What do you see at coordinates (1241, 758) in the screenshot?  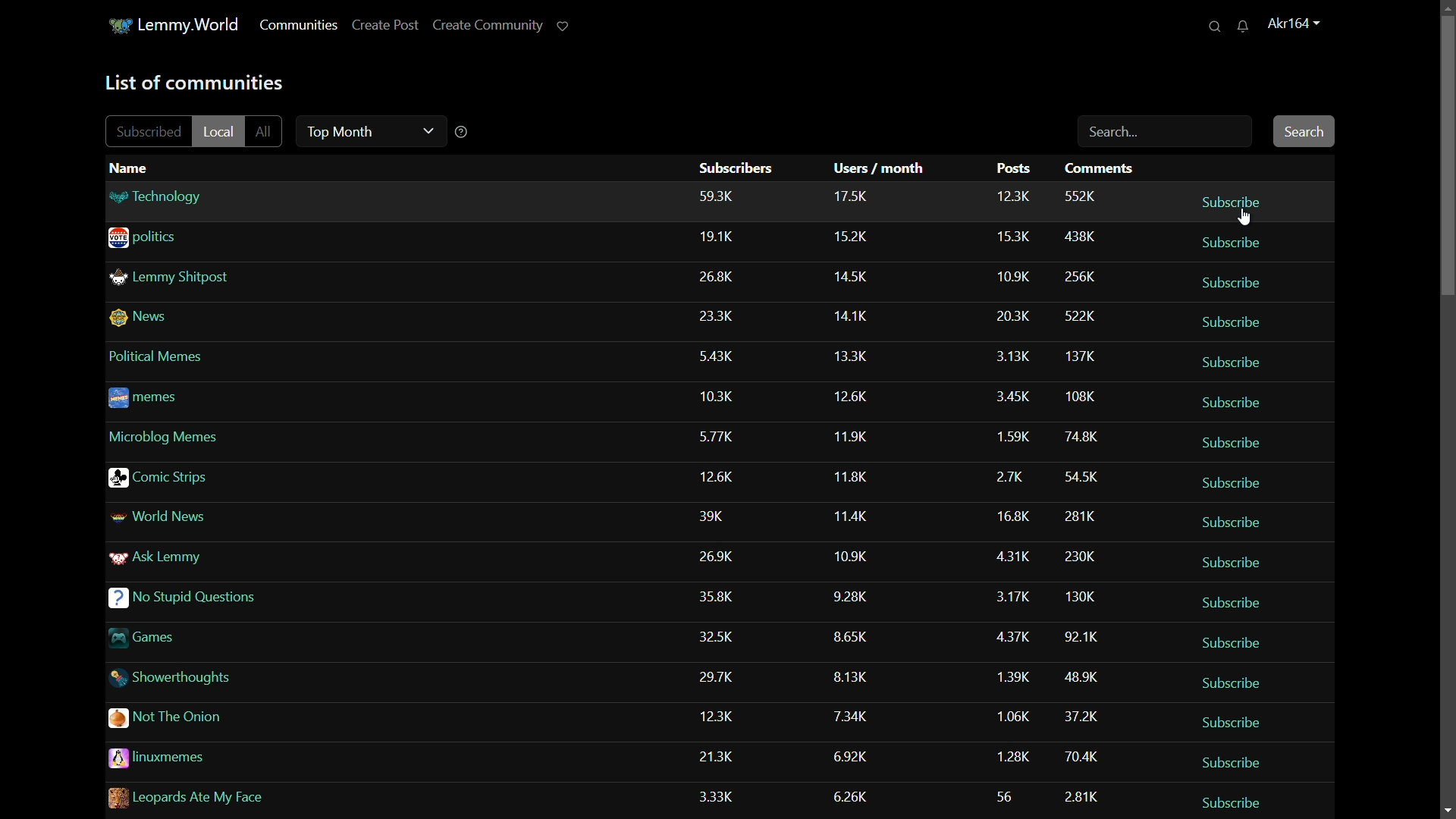 I see `subscribe/unsubscribe` at bounding box center [1241, 758].